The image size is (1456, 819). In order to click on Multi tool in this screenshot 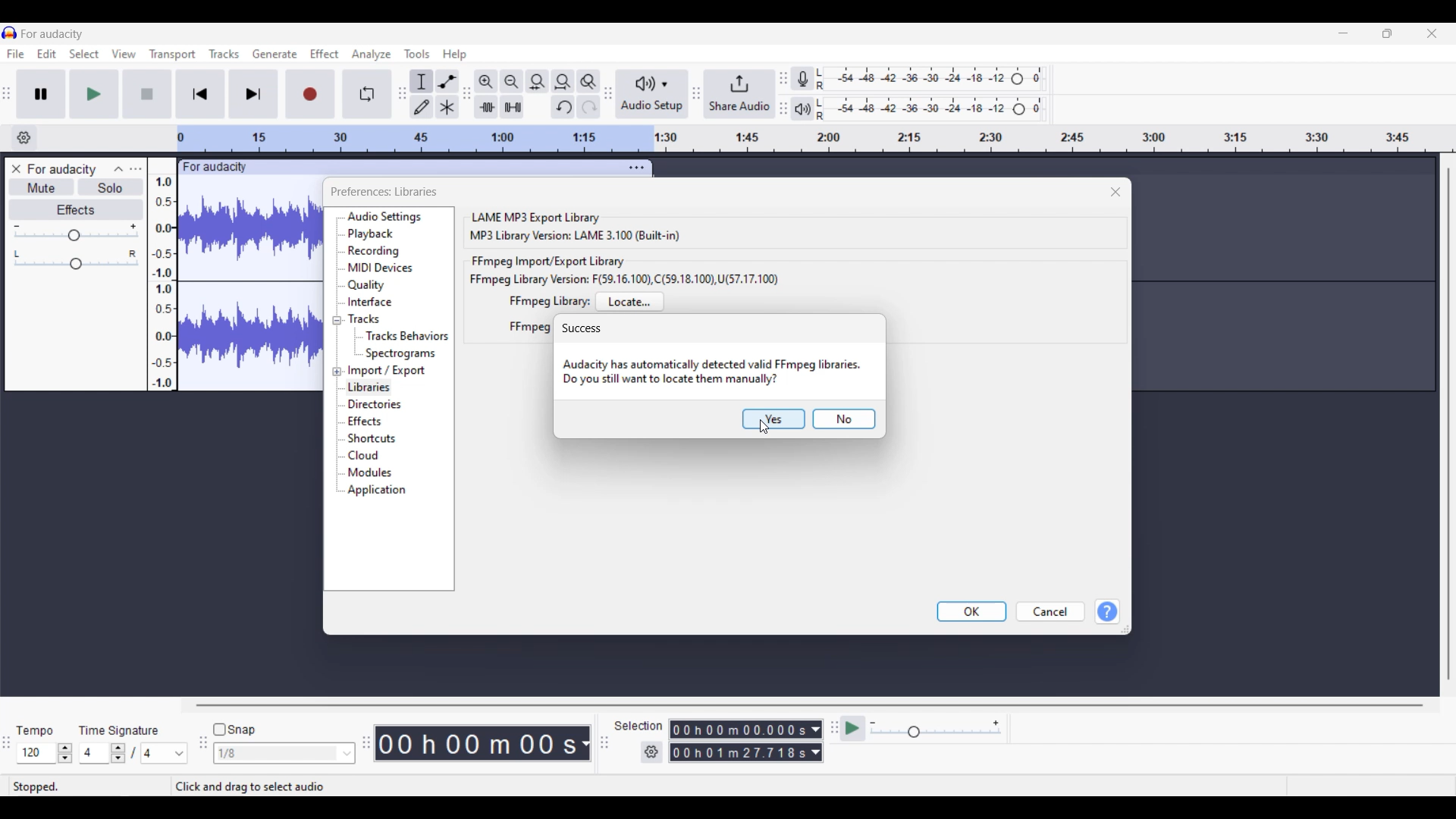, I will do `click(447, 107)`.